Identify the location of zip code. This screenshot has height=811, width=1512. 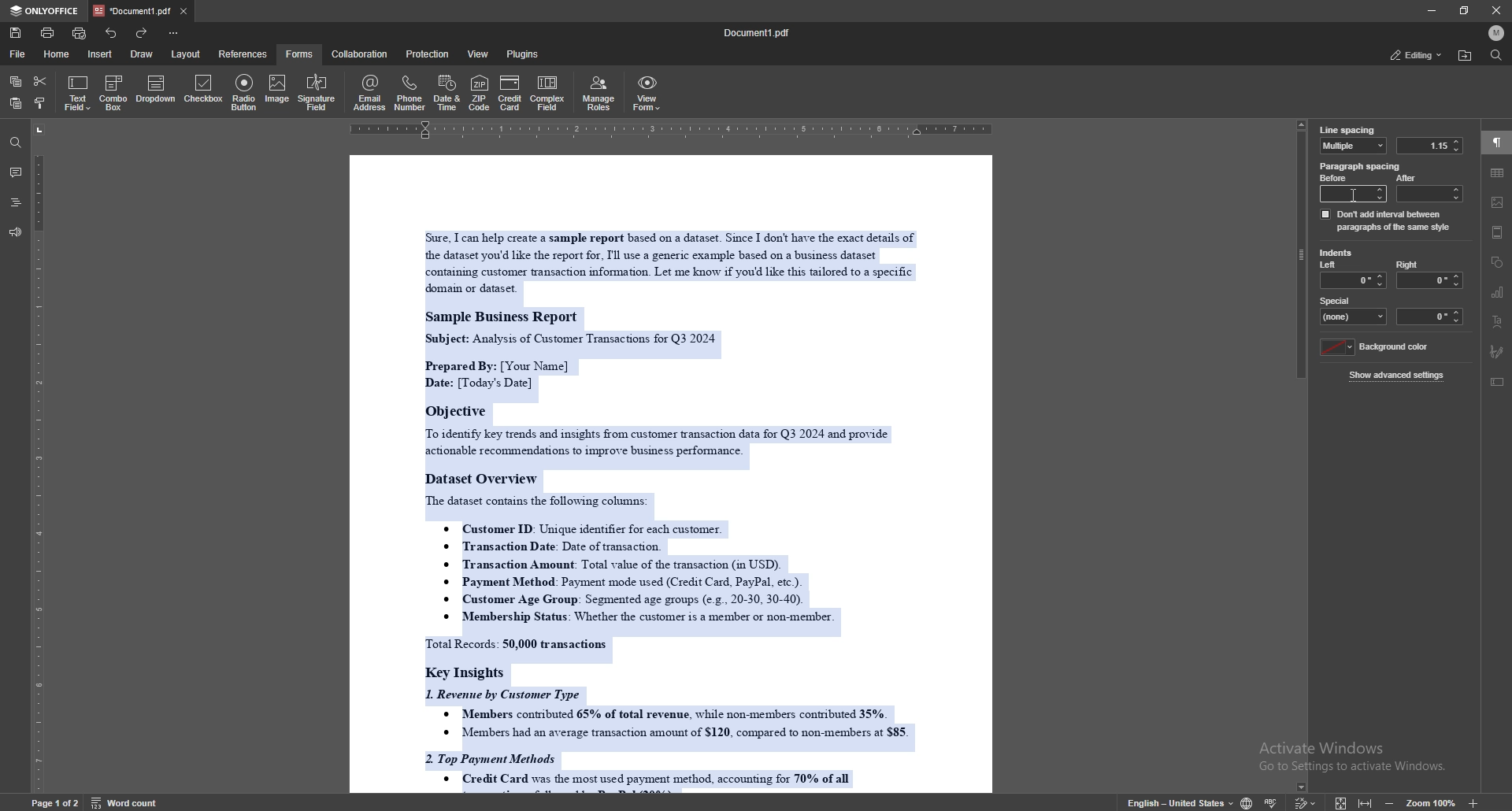
(479, 92).